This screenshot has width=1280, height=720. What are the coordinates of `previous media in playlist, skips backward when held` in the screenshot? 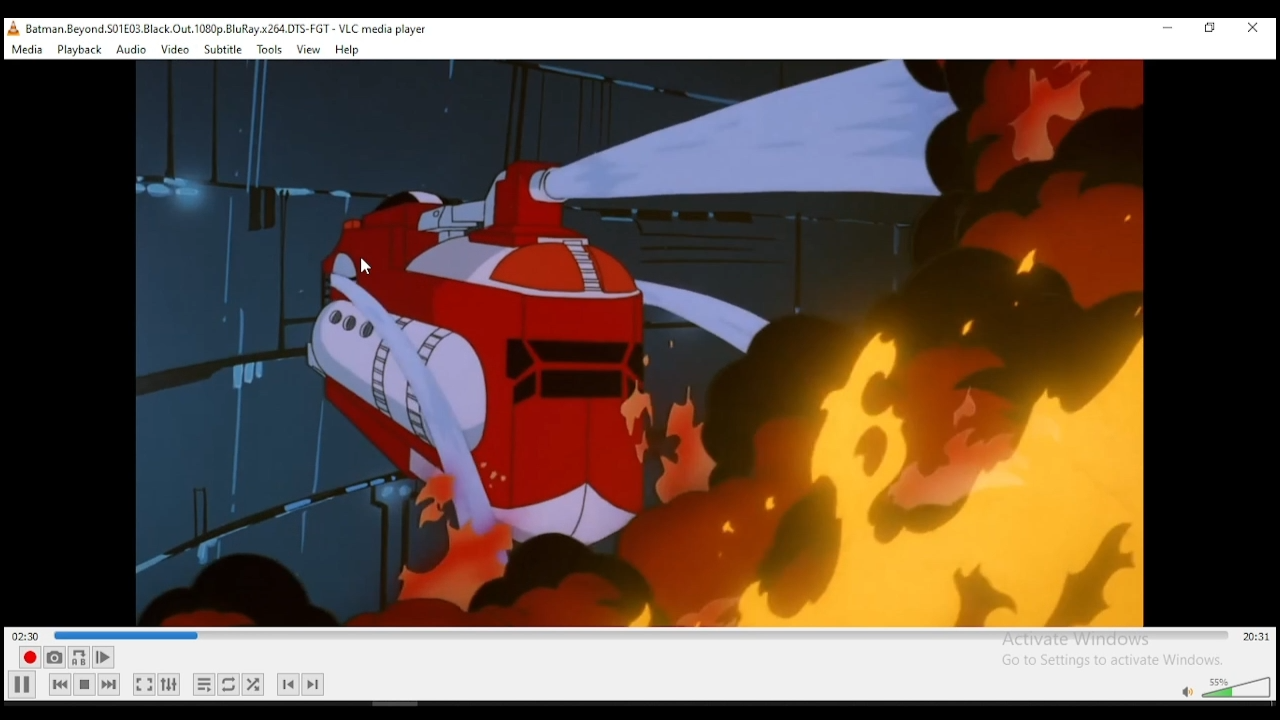 It's located at (60, 685).